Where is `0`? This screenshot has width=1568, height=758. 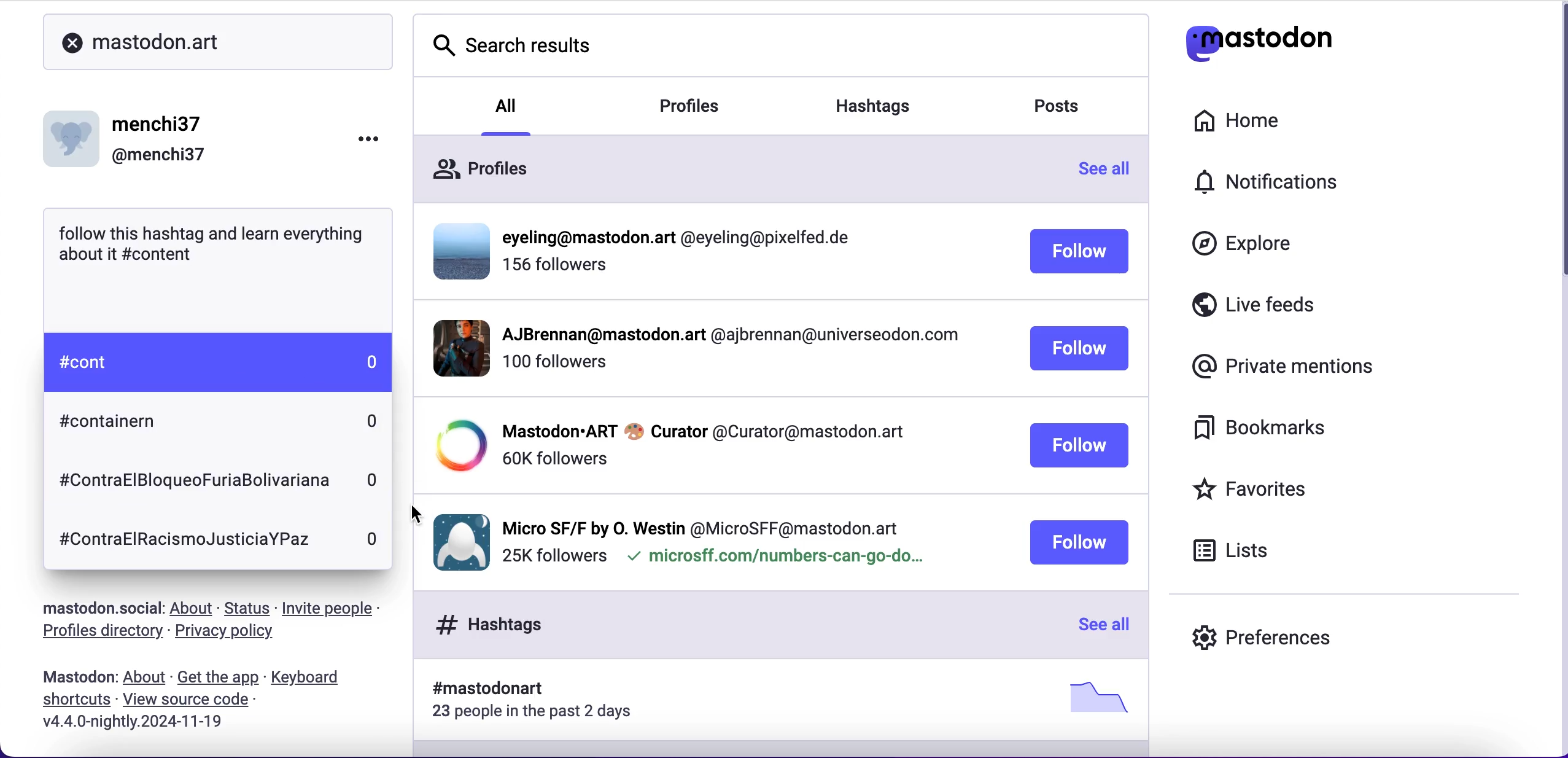 0 is located at coordinates (375, 419).